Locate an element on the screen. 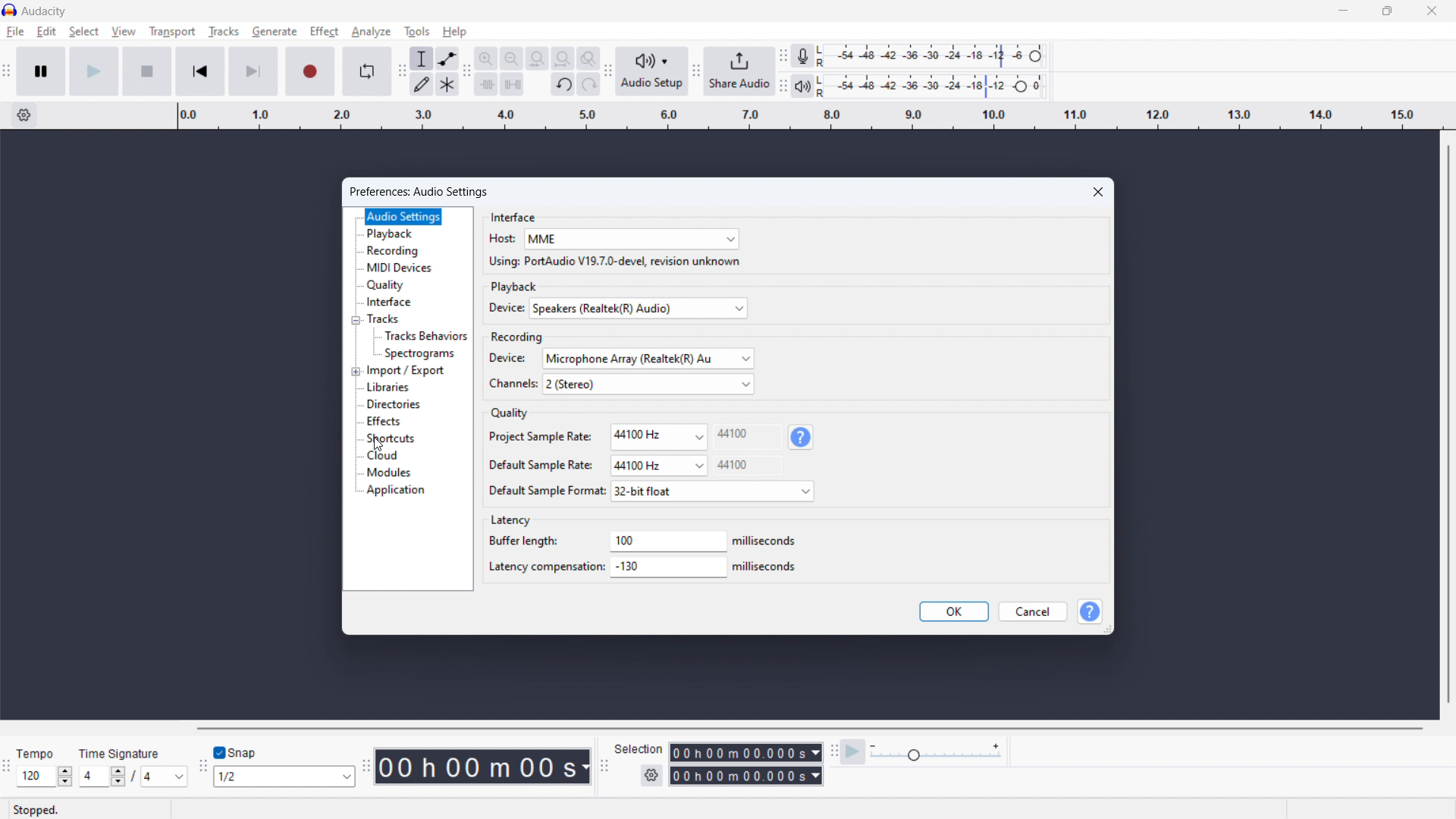  generate is located at coordinates (275, 31).